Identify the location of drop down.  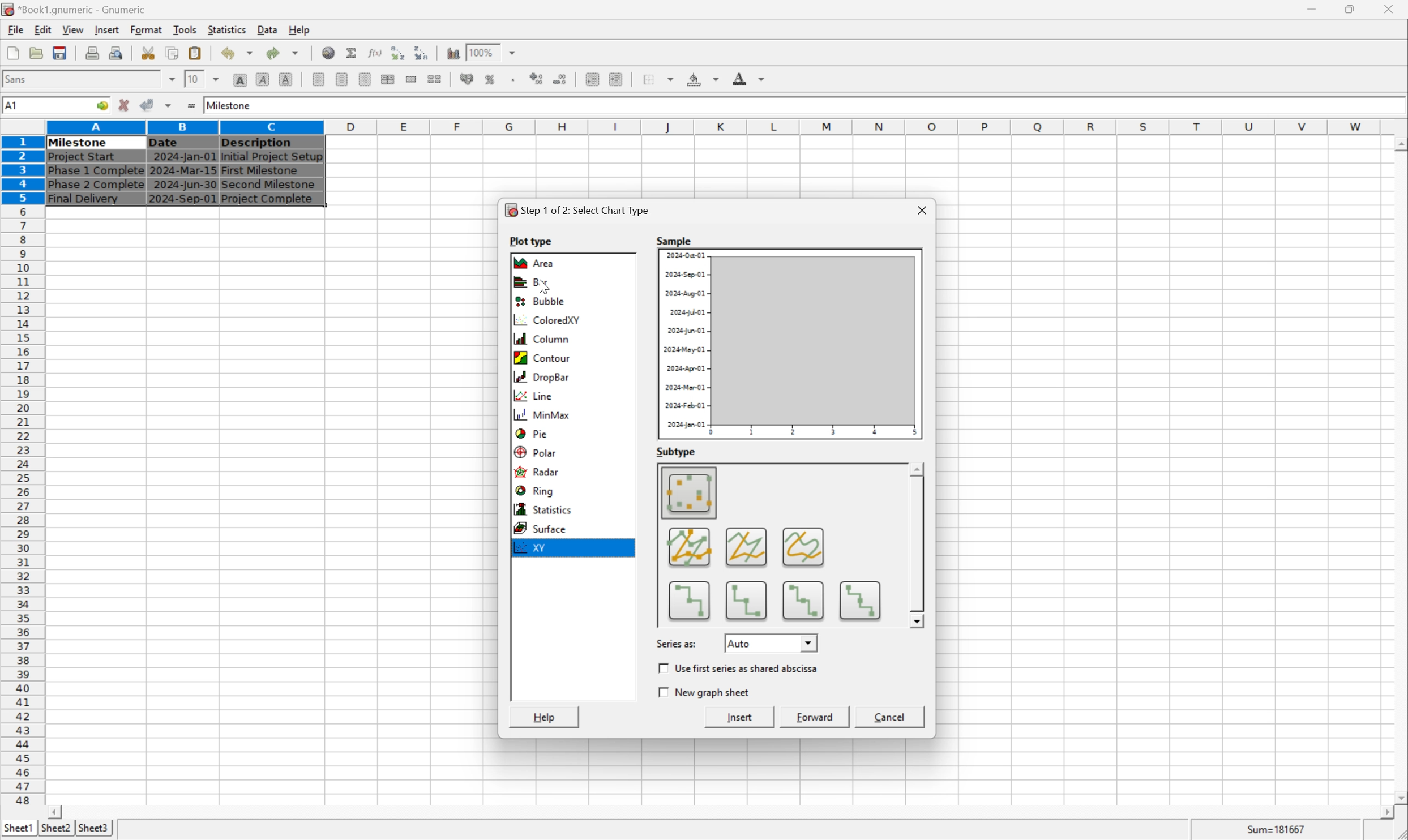
(513, 52).